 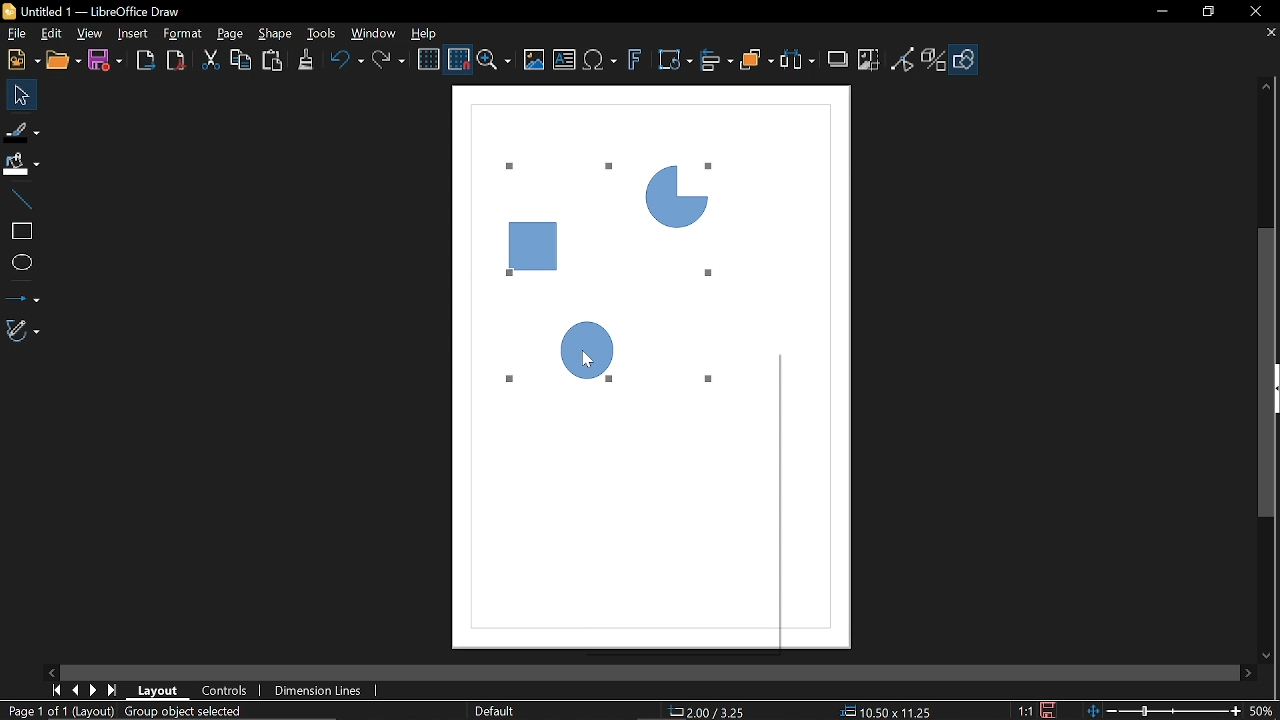 What do you see at coordinates (108, 62) in the screenshot?
I see `Save` at bounding box center [108, 62].